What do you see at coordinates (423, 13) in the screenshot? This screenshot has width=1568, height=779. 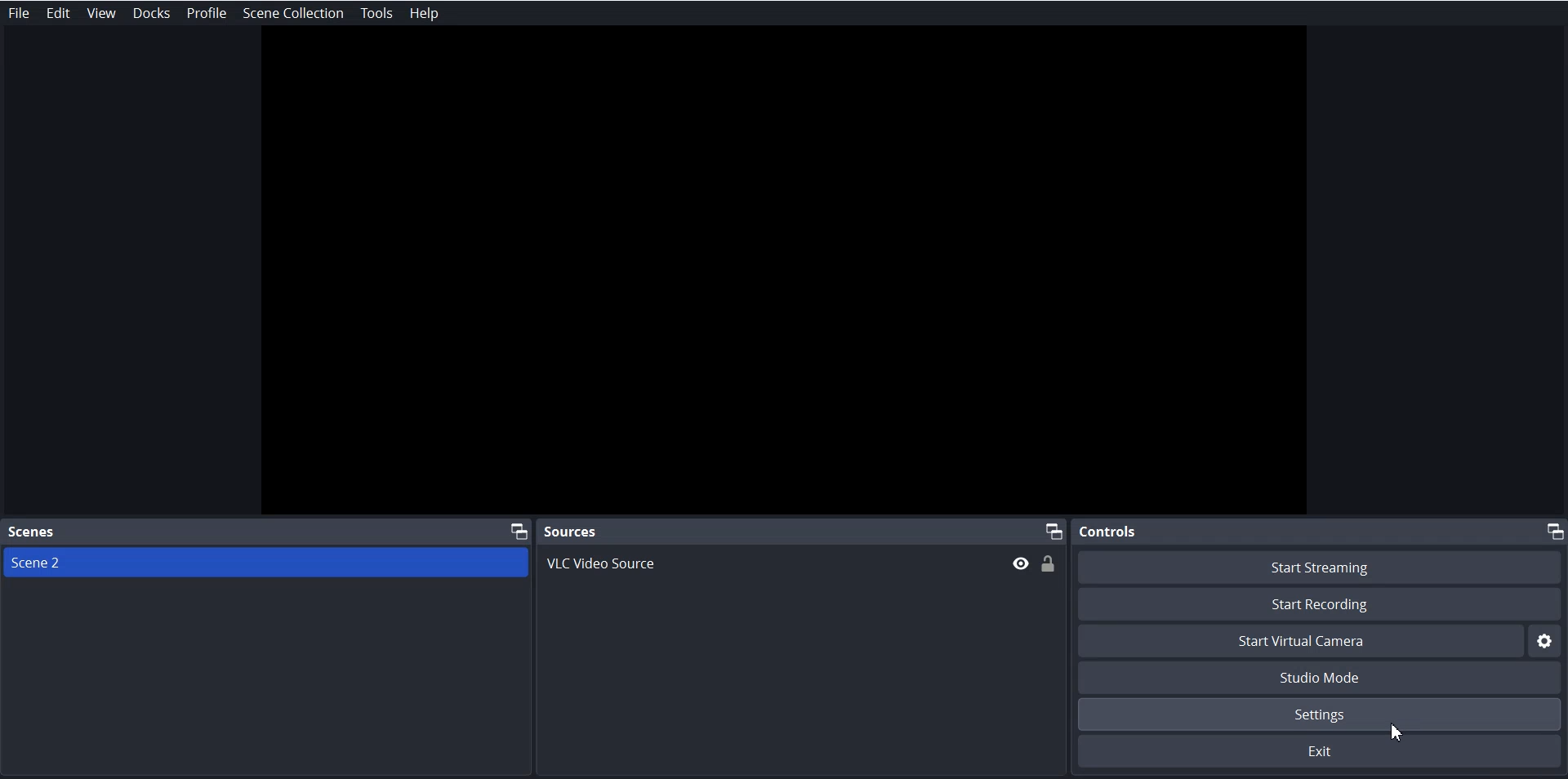 I see `Help` at bounding box center [423, 13].